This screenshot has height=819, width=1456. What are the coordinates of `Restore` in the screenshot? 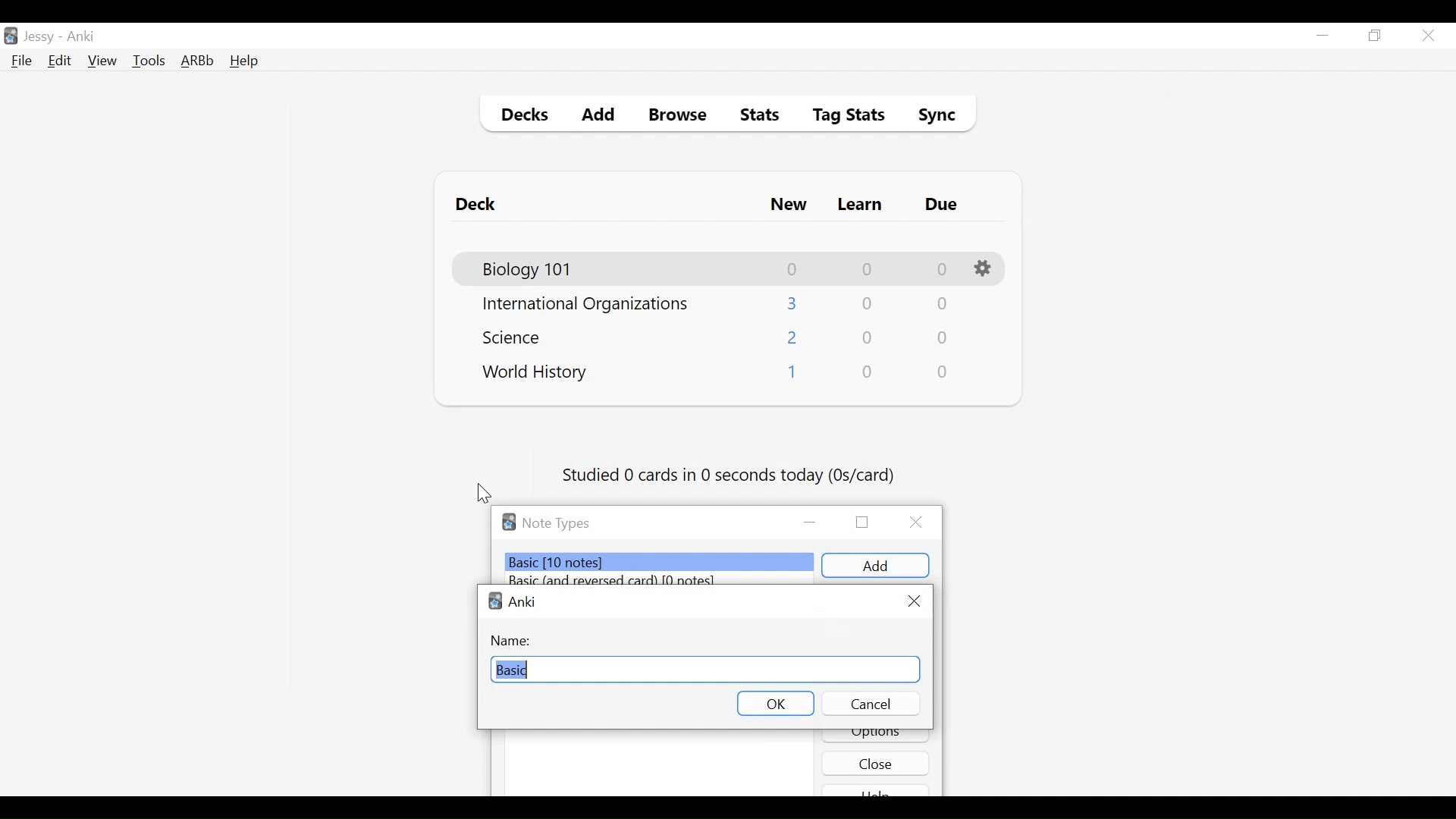 It's located at (1376, 36).